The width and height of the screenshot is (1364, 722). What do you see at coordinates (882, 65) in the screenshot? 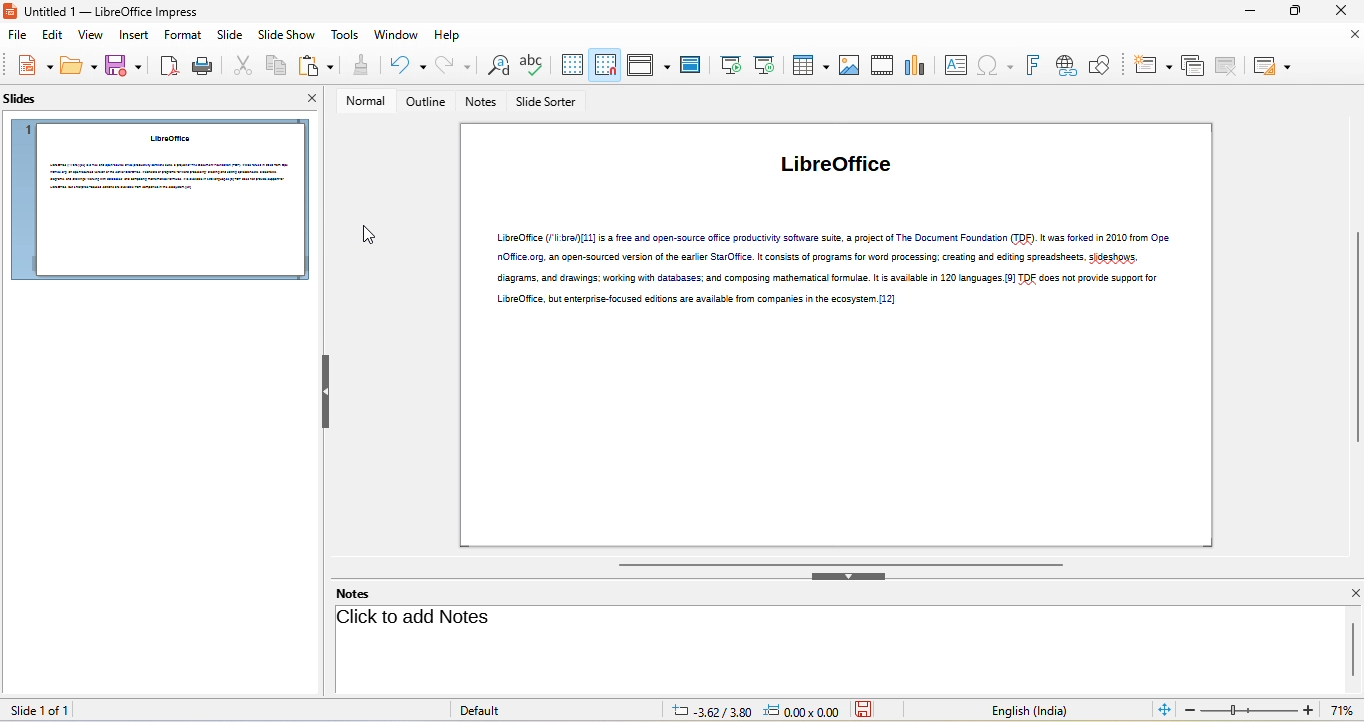
I see `audio/video` at bounding box center [882, 65].